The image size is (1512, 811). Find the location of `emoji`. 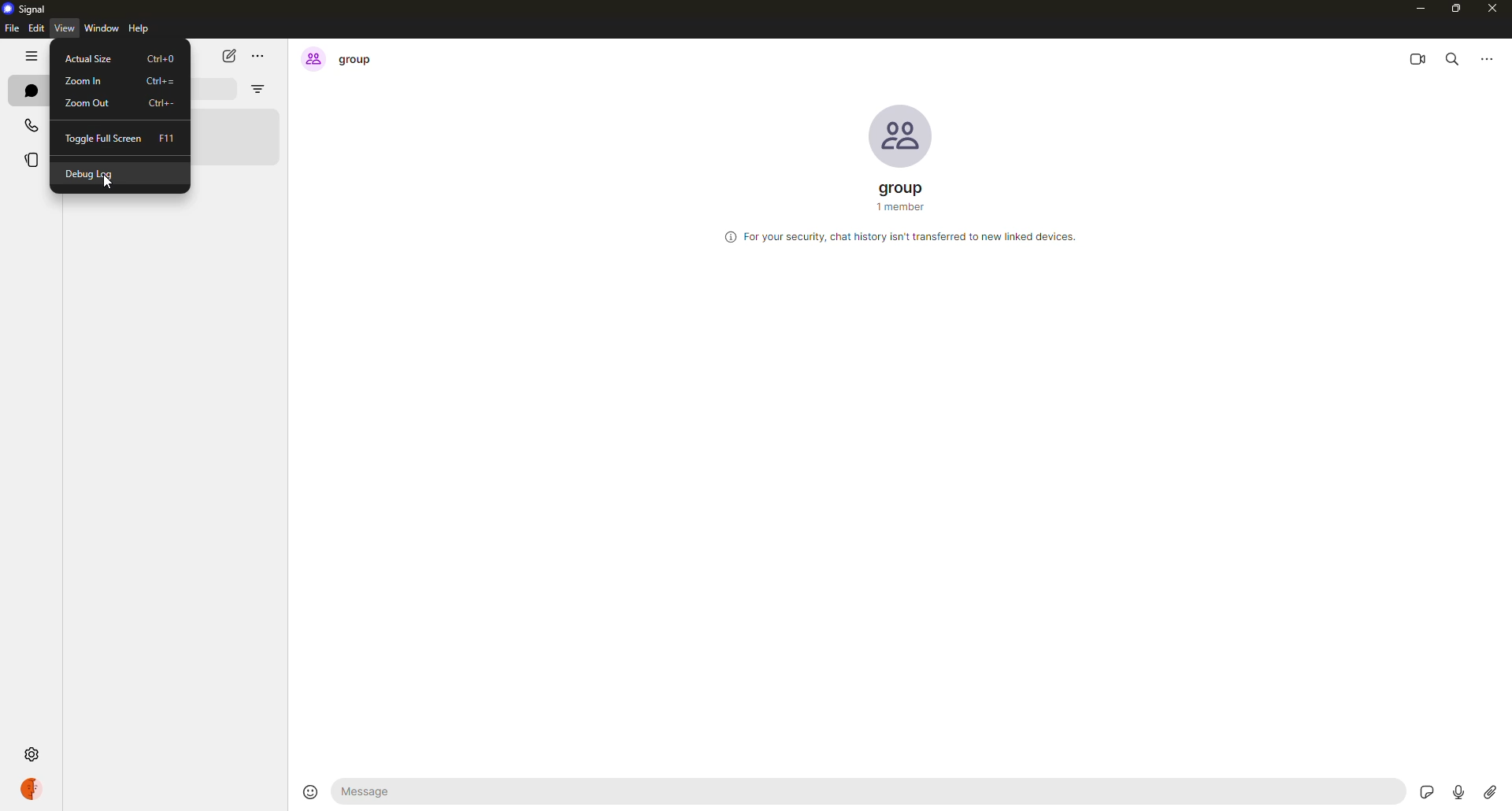

emoji is located at coordinates (309, 791).